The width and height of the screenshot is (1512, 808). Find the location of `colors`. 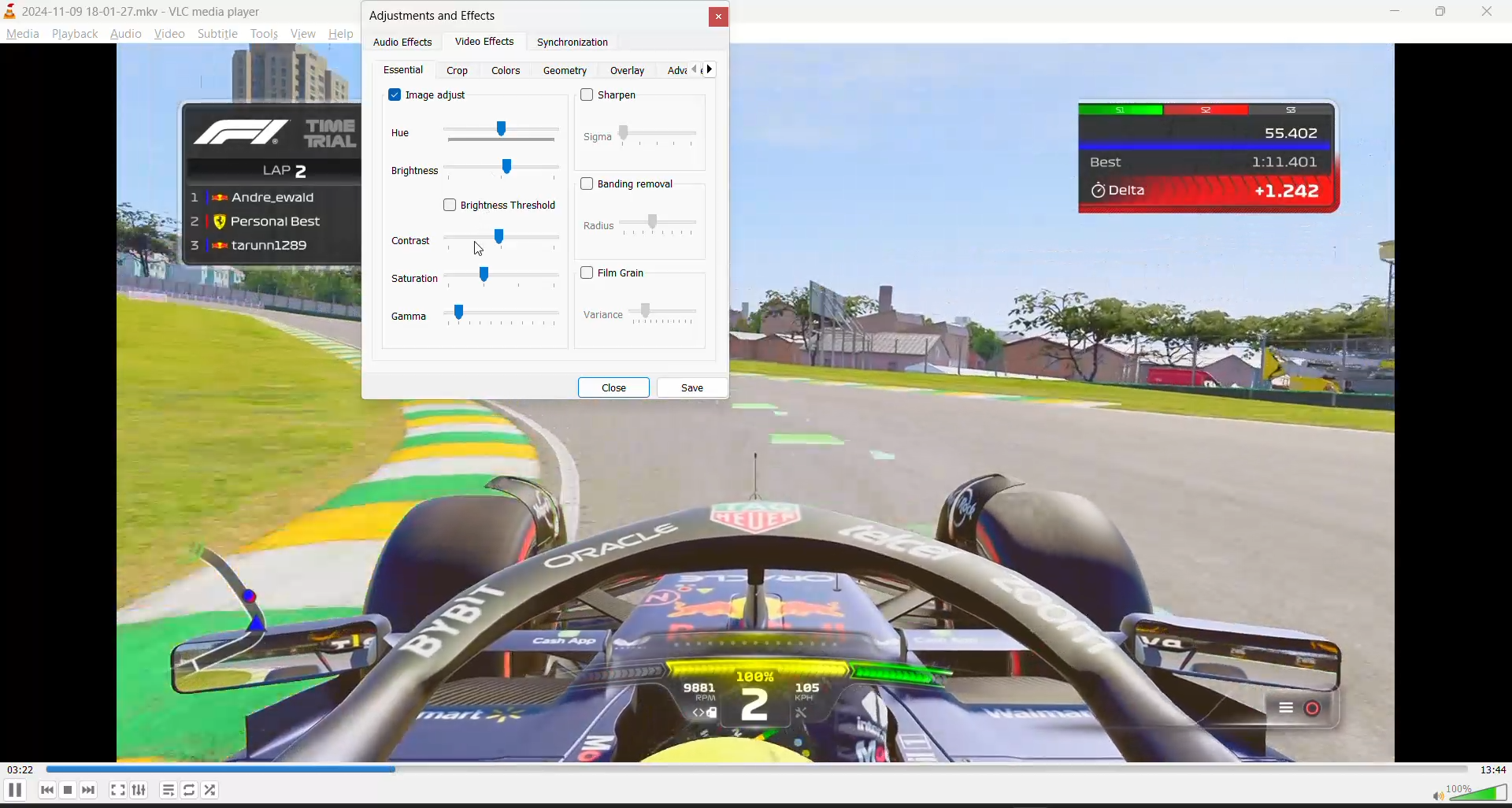

colors is located at coordinates (509, 71).